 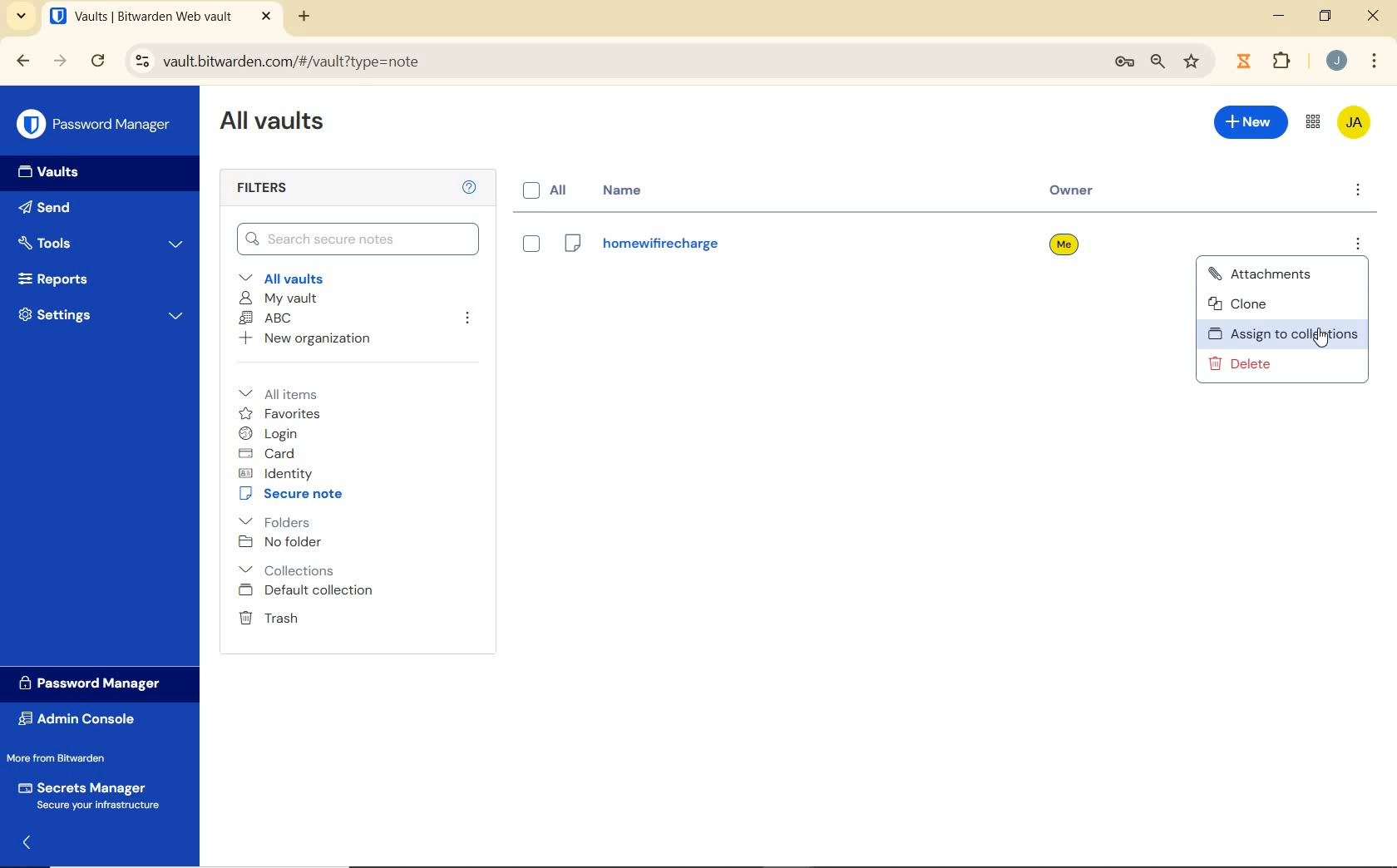 What do you see at coordinates (281, 189) in the screenshot?
I see `Filters` at bounding box center [281, 189].